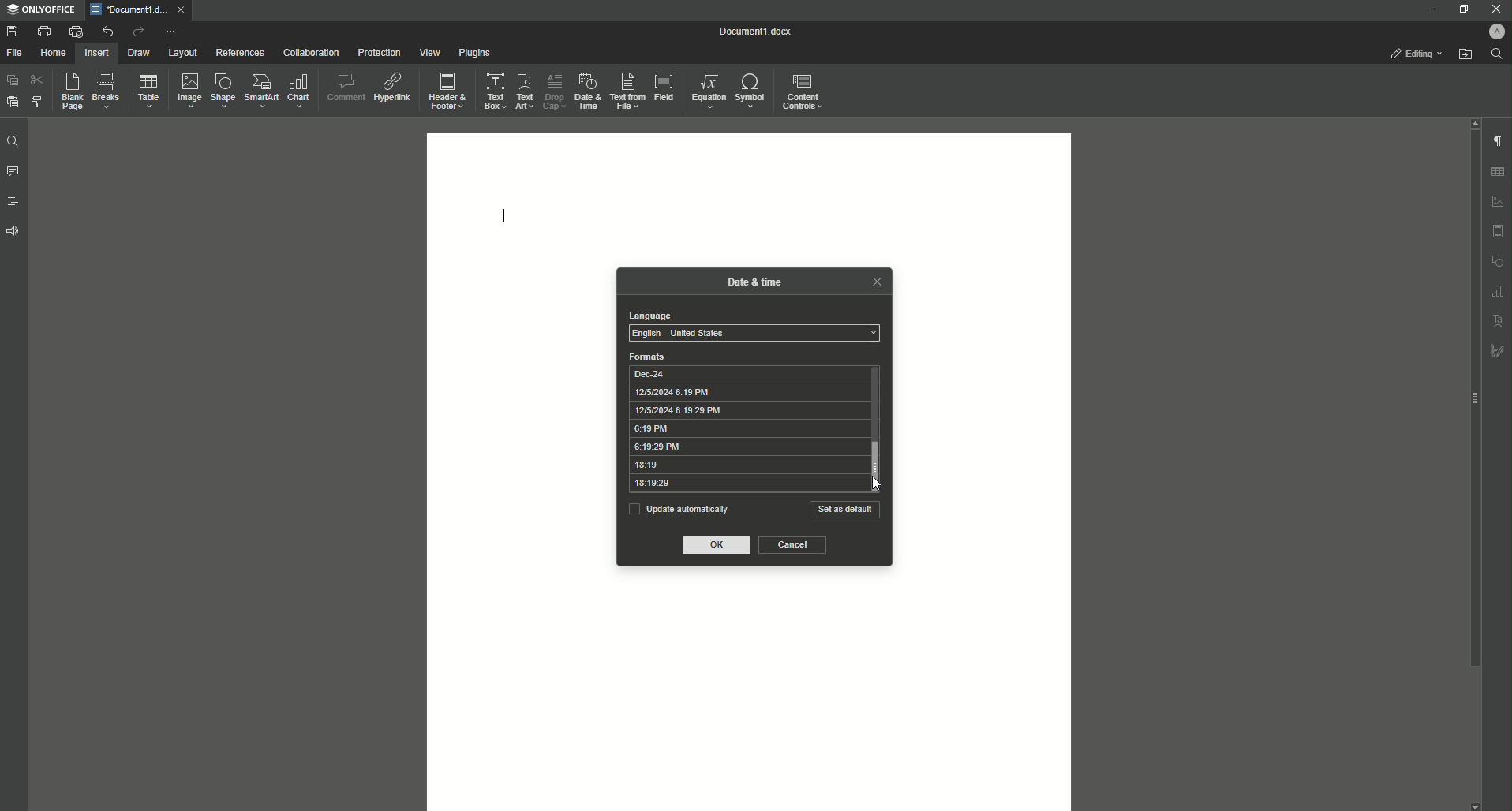 Image resolution: width=1512 pixels, height=811 pixels. I want to click on Equation, so click(709, 91).